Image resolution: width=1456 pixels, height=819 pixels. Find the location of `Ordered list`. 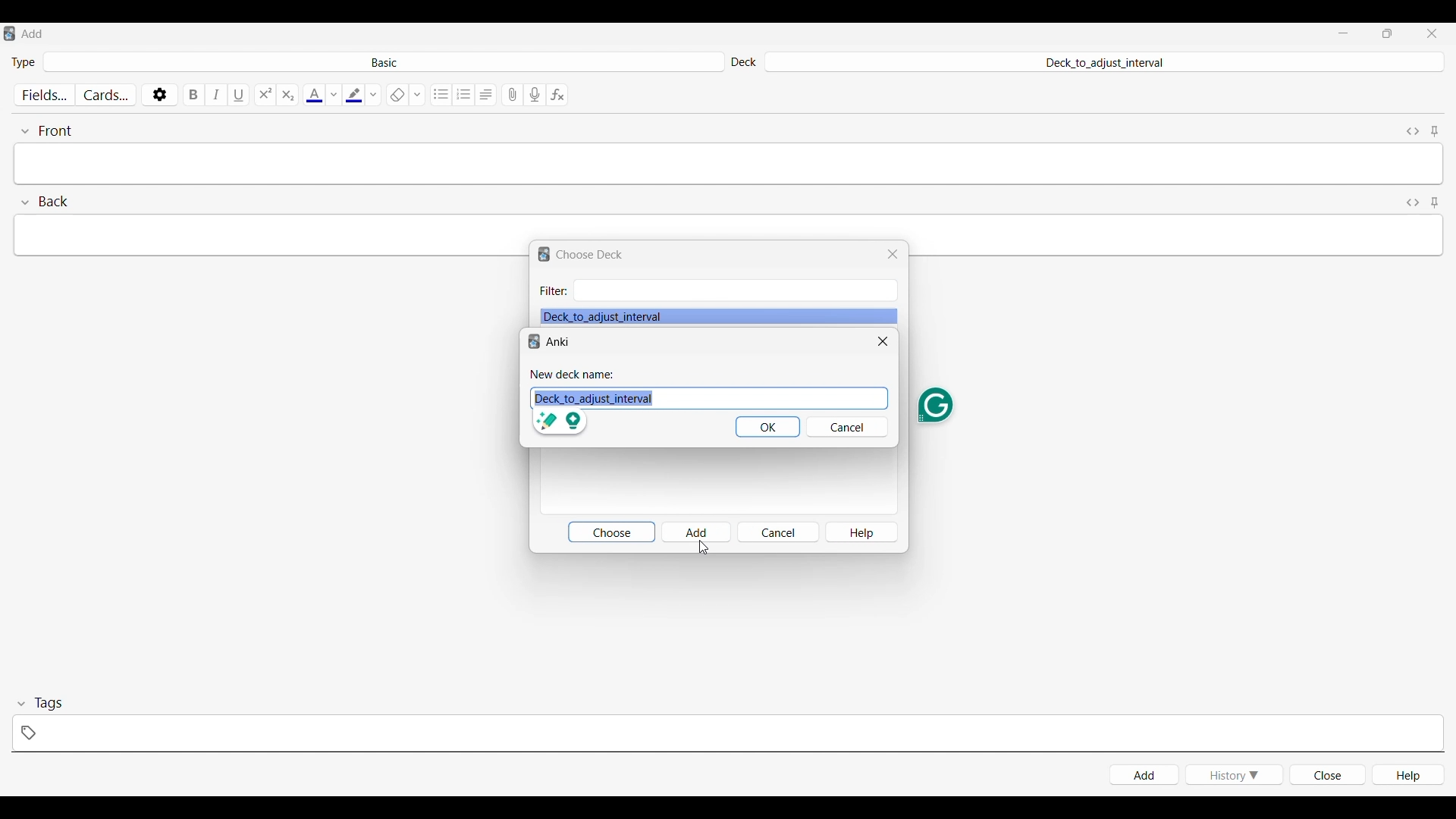

Ordered list is located at coordinates (464, 95).